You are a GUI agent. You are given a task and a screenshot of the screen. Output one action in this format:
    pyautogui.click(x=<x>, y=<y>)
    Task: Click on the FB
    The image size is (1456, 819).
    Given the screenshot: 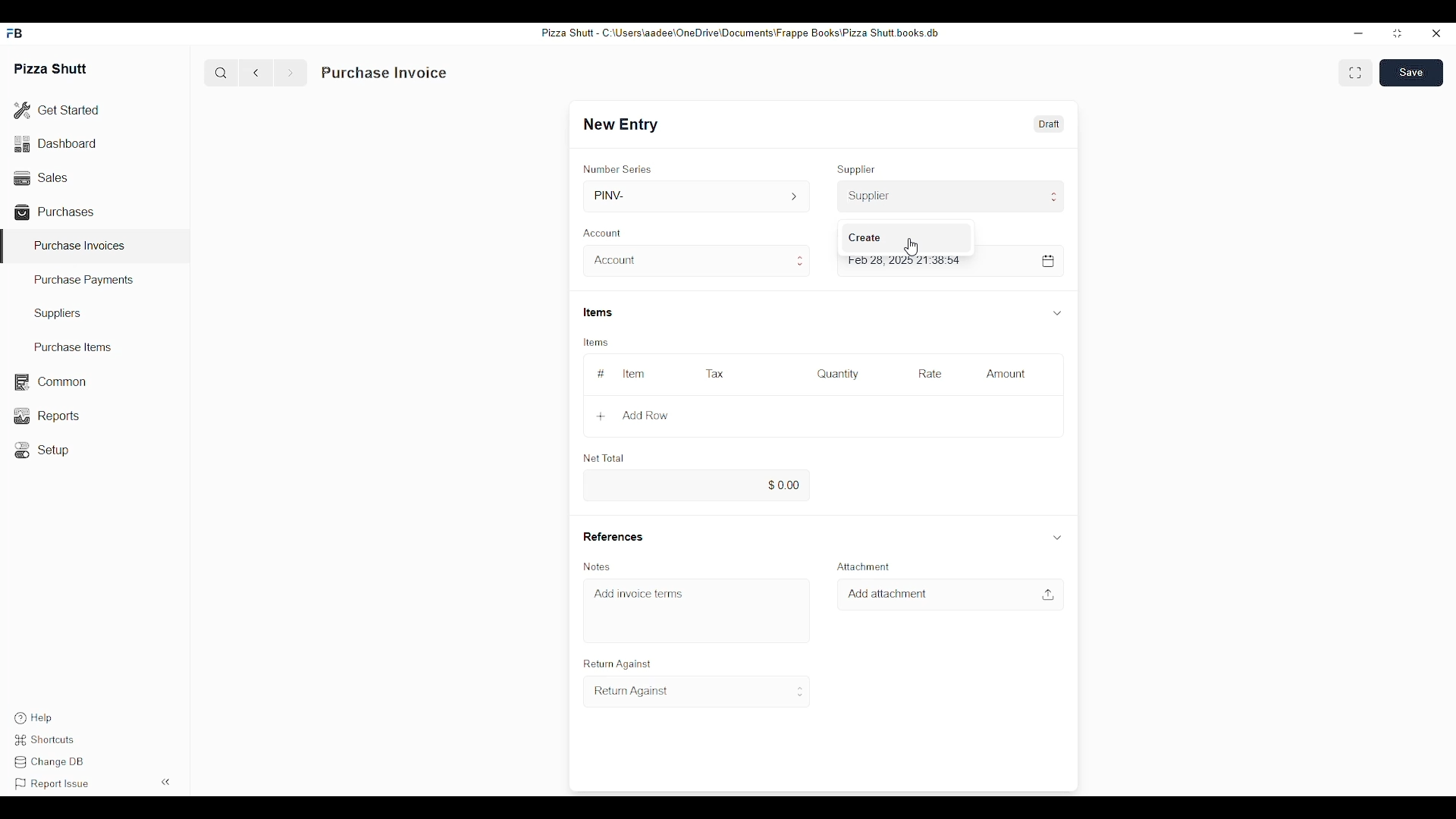 What is the action you would take?
    pyautogui.click(x=17, y=33)
    